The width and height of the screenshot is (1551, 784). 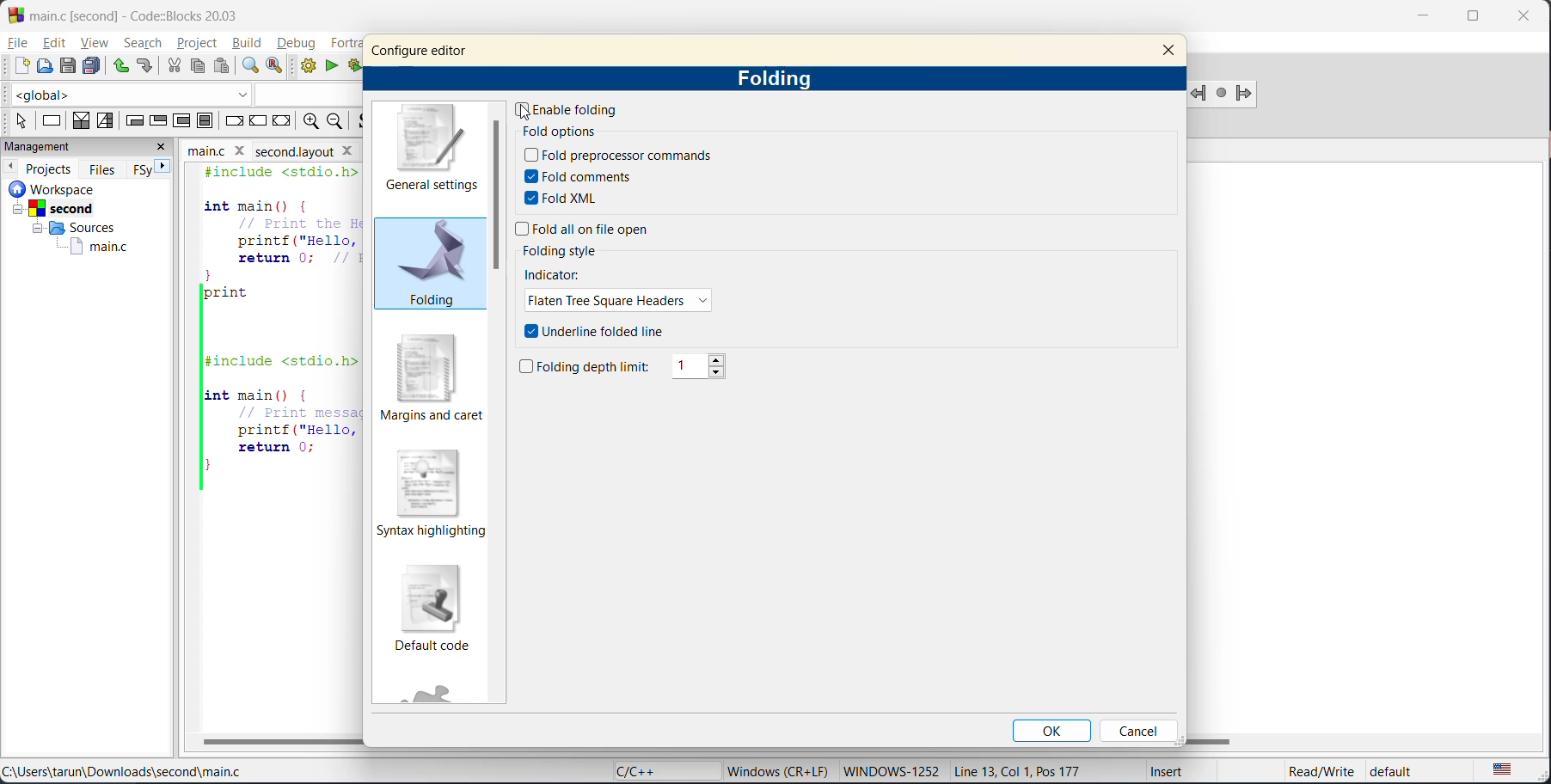 What do you see at coordinates (281, 742) in the screenshot?
I see `horizontal scroll bar` at bounding box center [281, 742].